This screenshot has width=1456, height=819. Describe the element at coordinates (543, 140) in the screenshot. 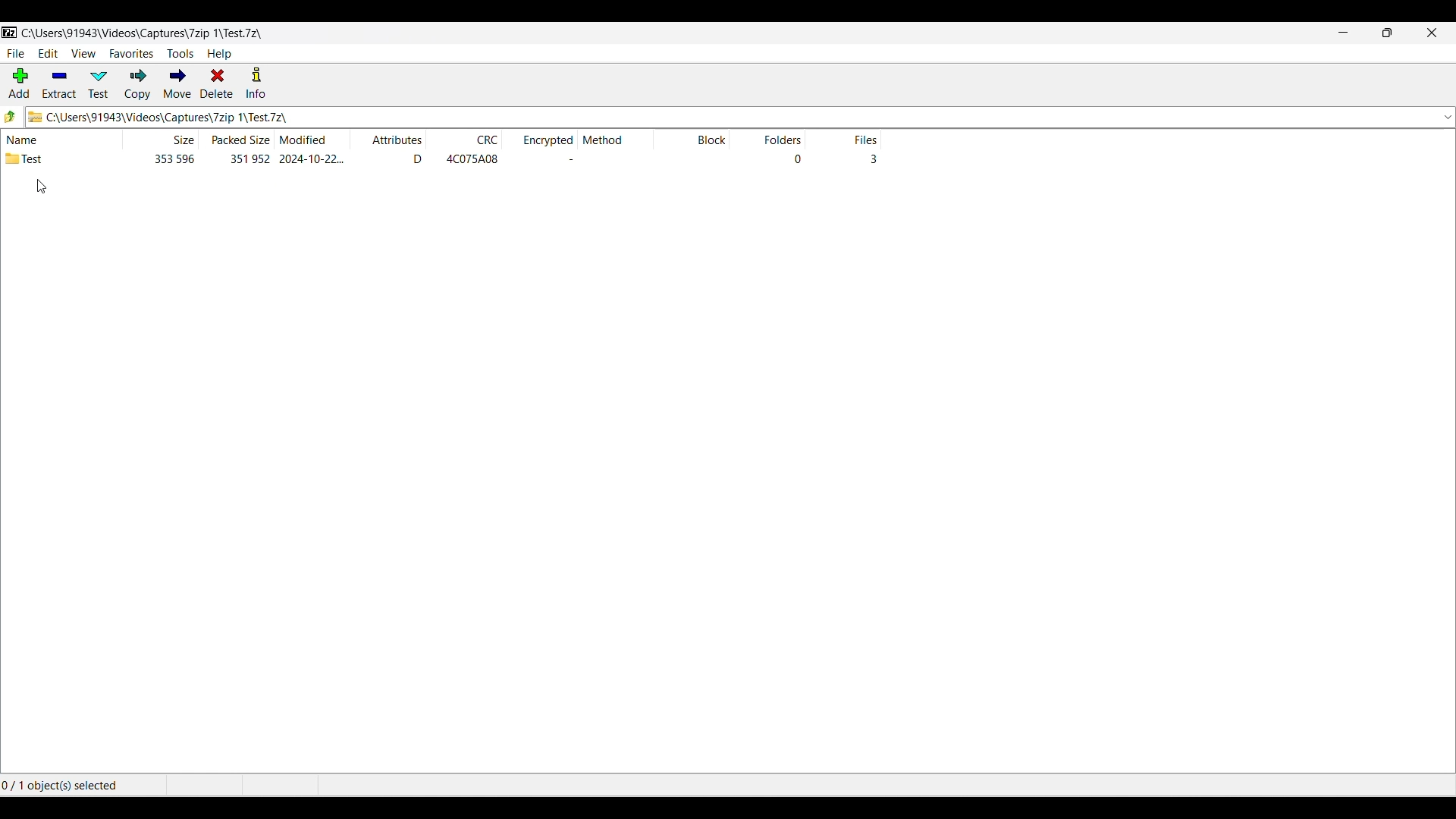

I see `Encrypted column` at that location.